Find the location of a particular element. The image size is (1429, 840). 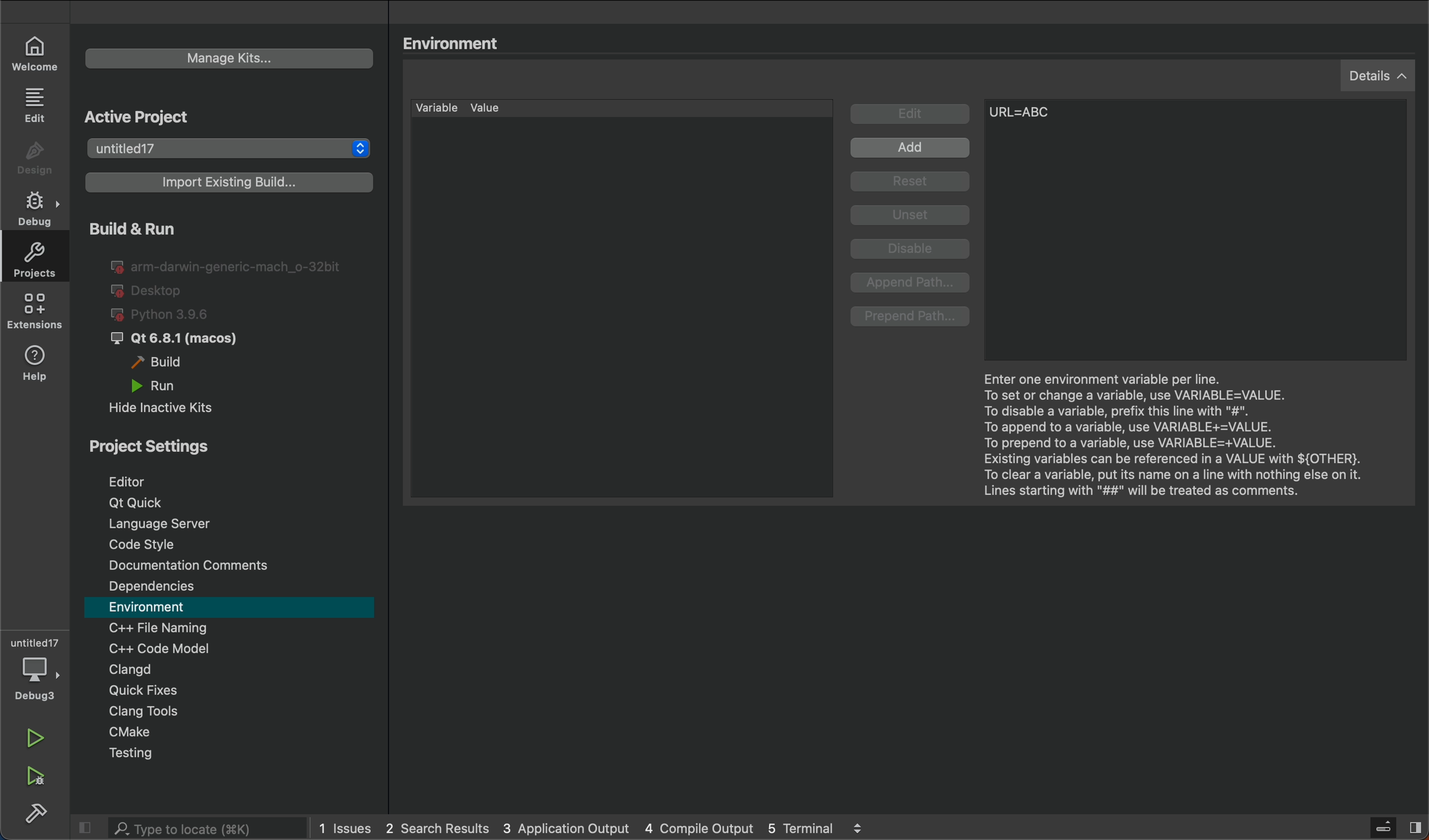

debug is located at coordinates (39, 669).